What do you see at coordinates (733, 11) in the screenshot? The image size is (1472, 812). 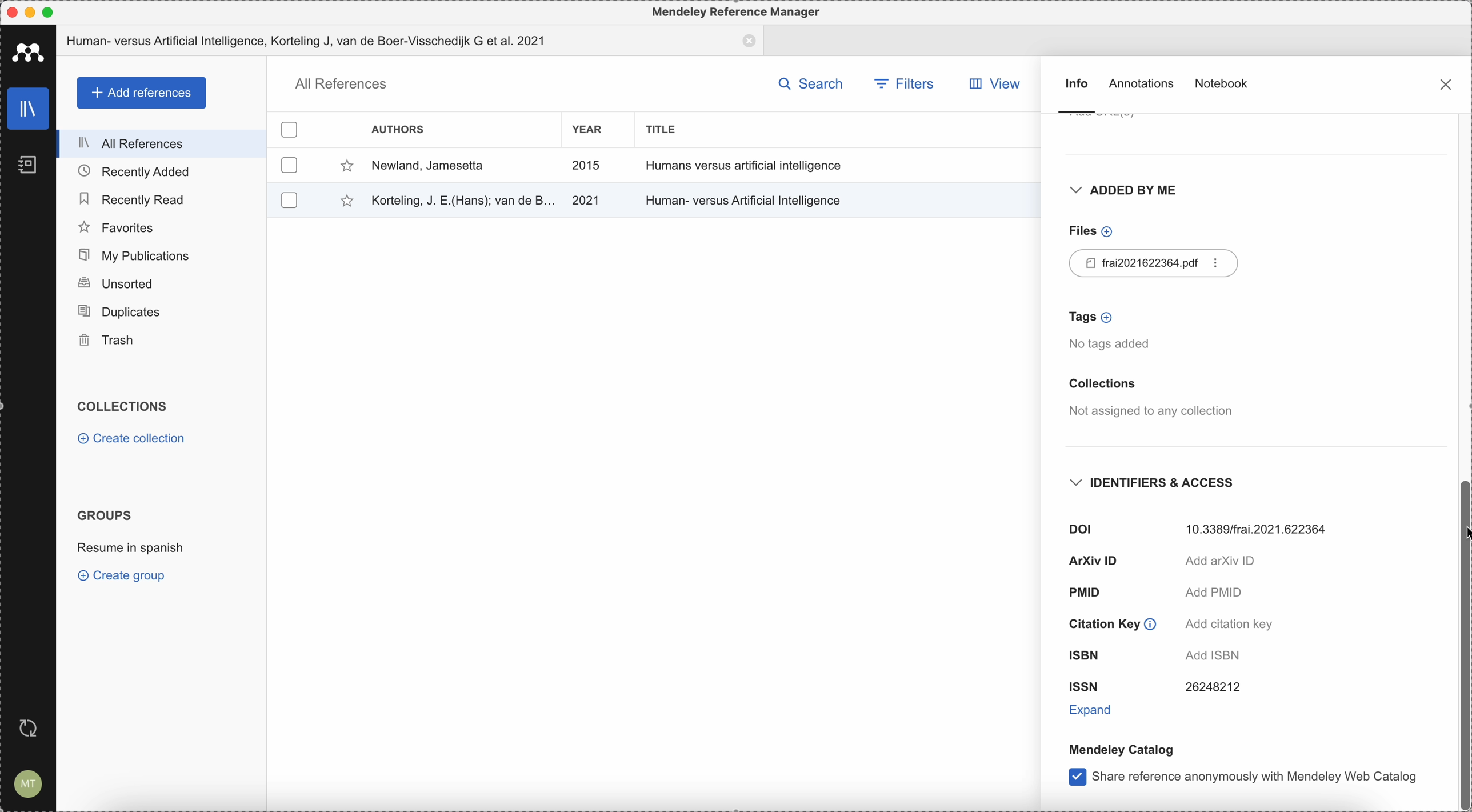 I see `Mendeley Reference Manager` at bounding box center [733, 11].